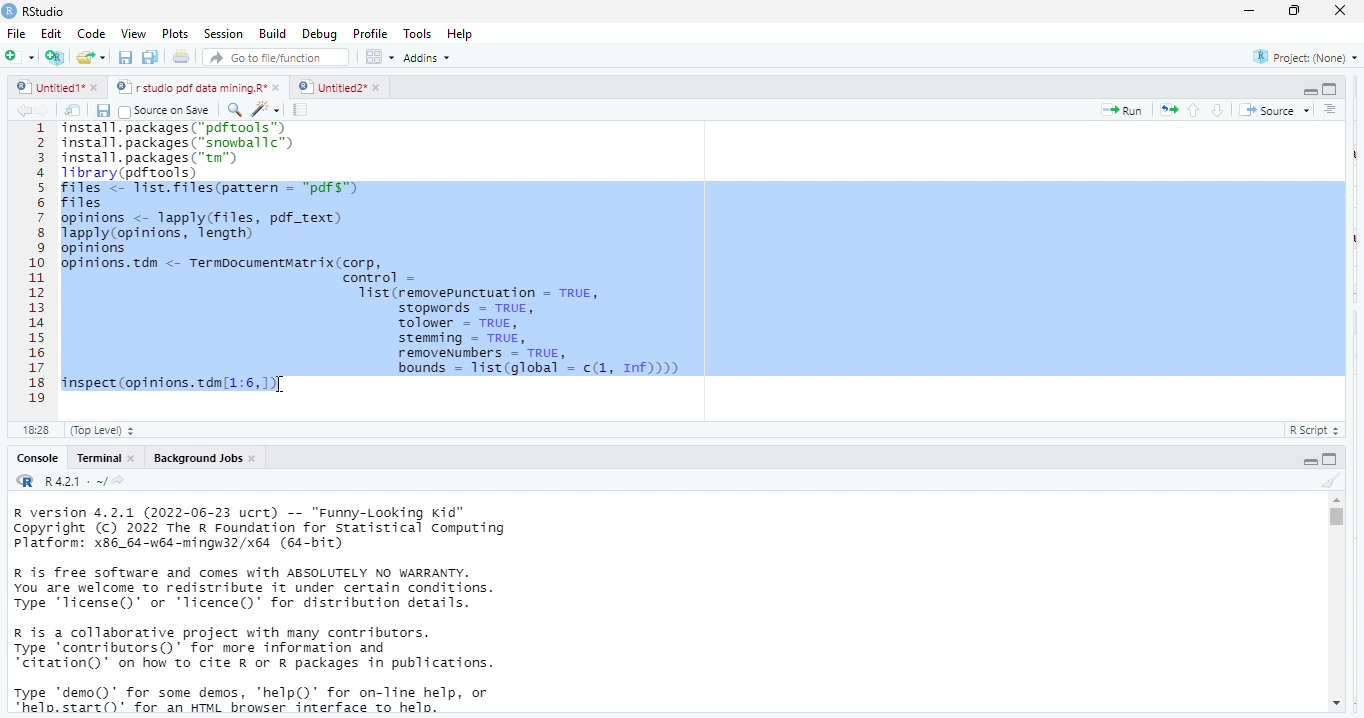 Image resolution: width=1364 pixels, height=718 pixels. What do you see at coordinates (45, 11) in the screenshot?
I see `rs studio` at bounding box center [45, 11].